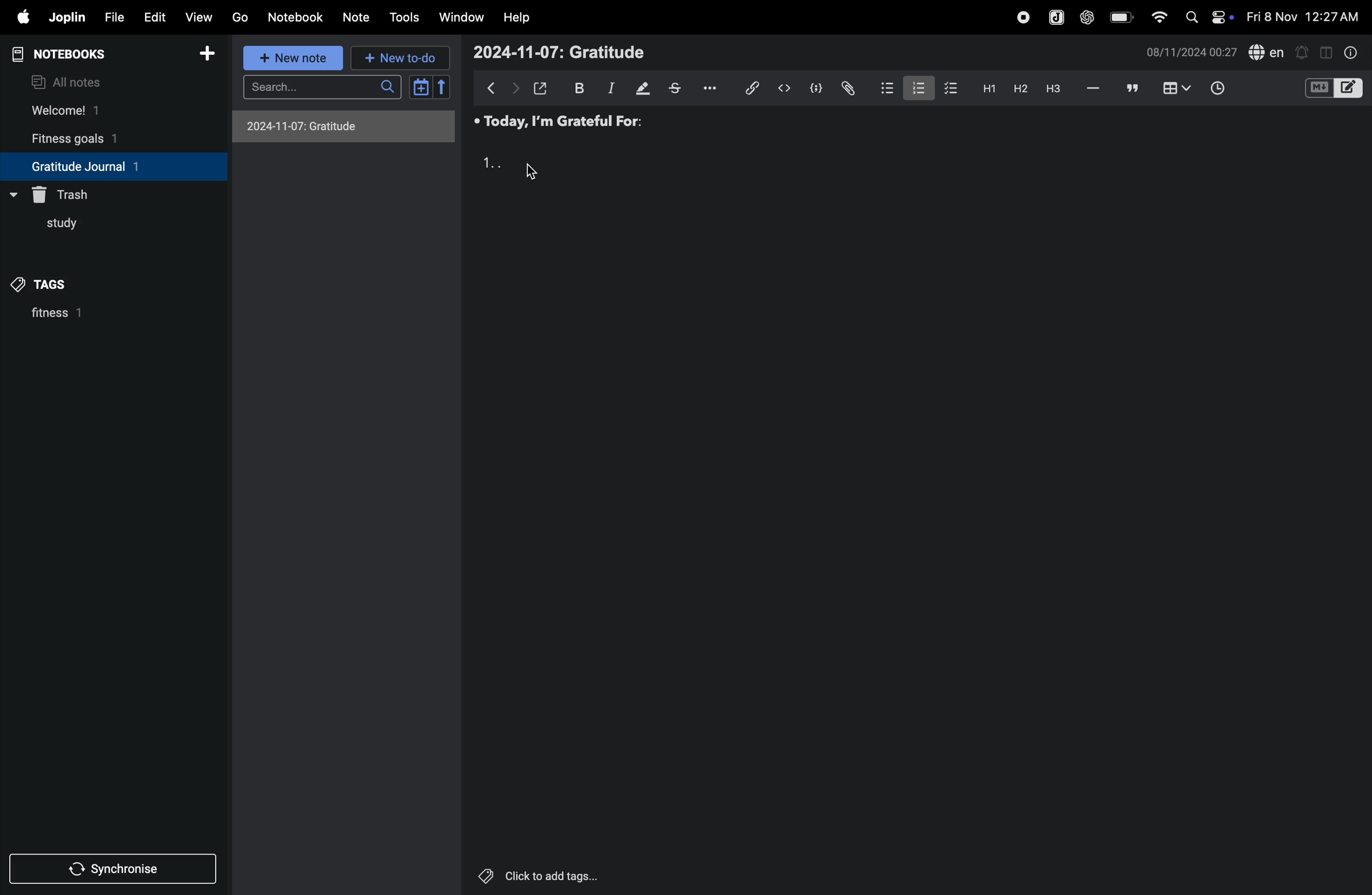 The image size is (1372, 895). I want to click on record, so click(1021, 18).